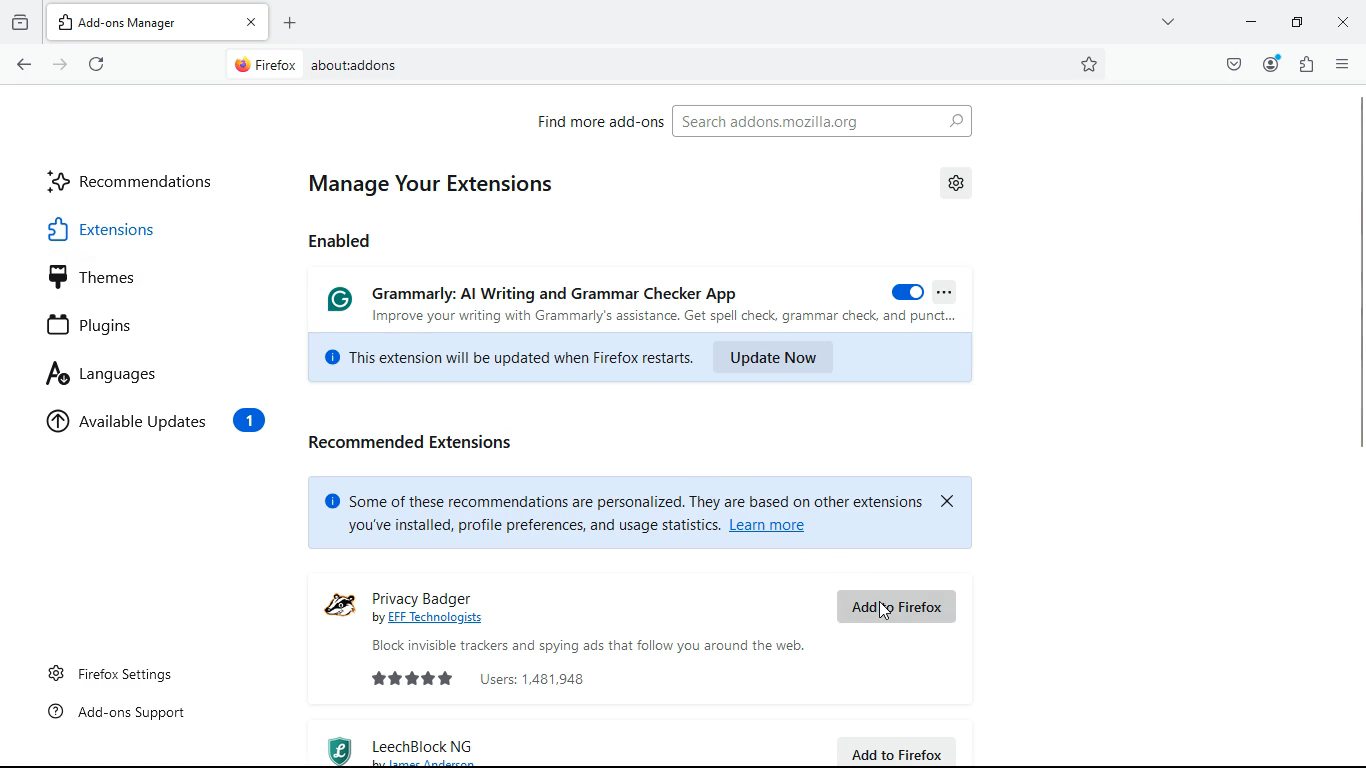  Describe the element at coordinates (340, 606) in the screenshot. I see `logo` at that location.